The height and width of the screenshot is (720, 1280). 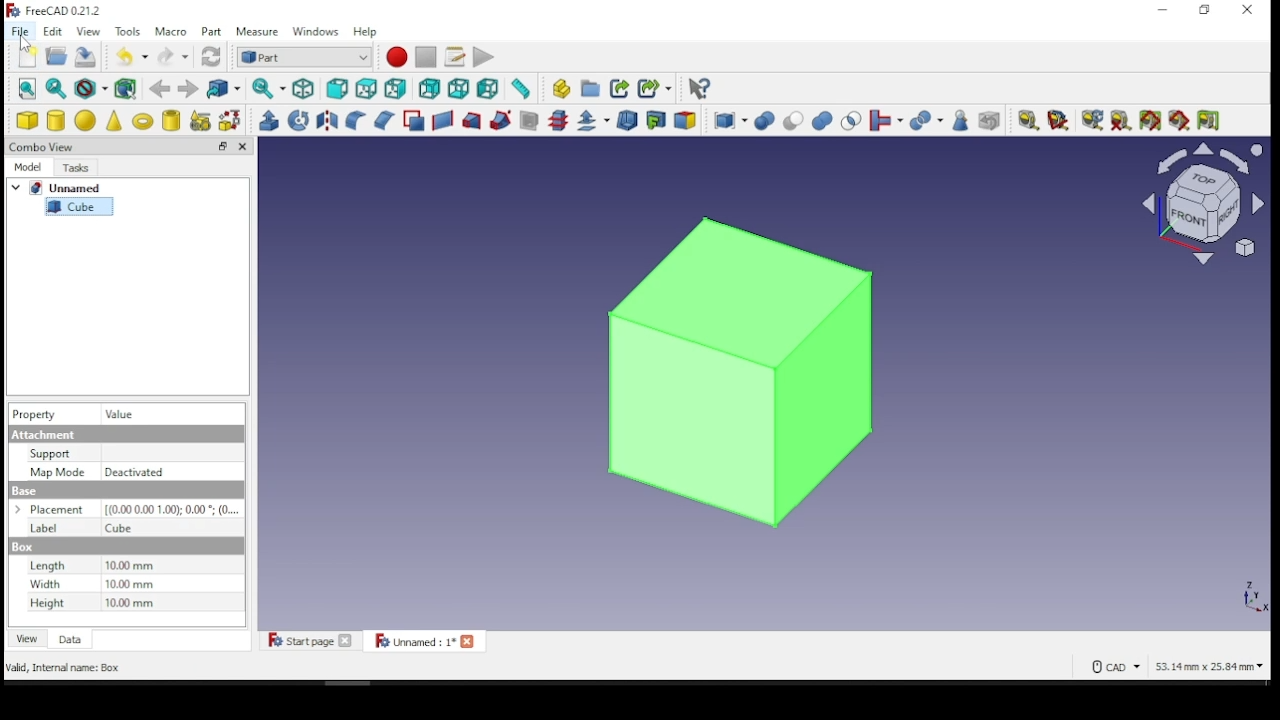 I want to click on Label, so click(x=45, y=529).